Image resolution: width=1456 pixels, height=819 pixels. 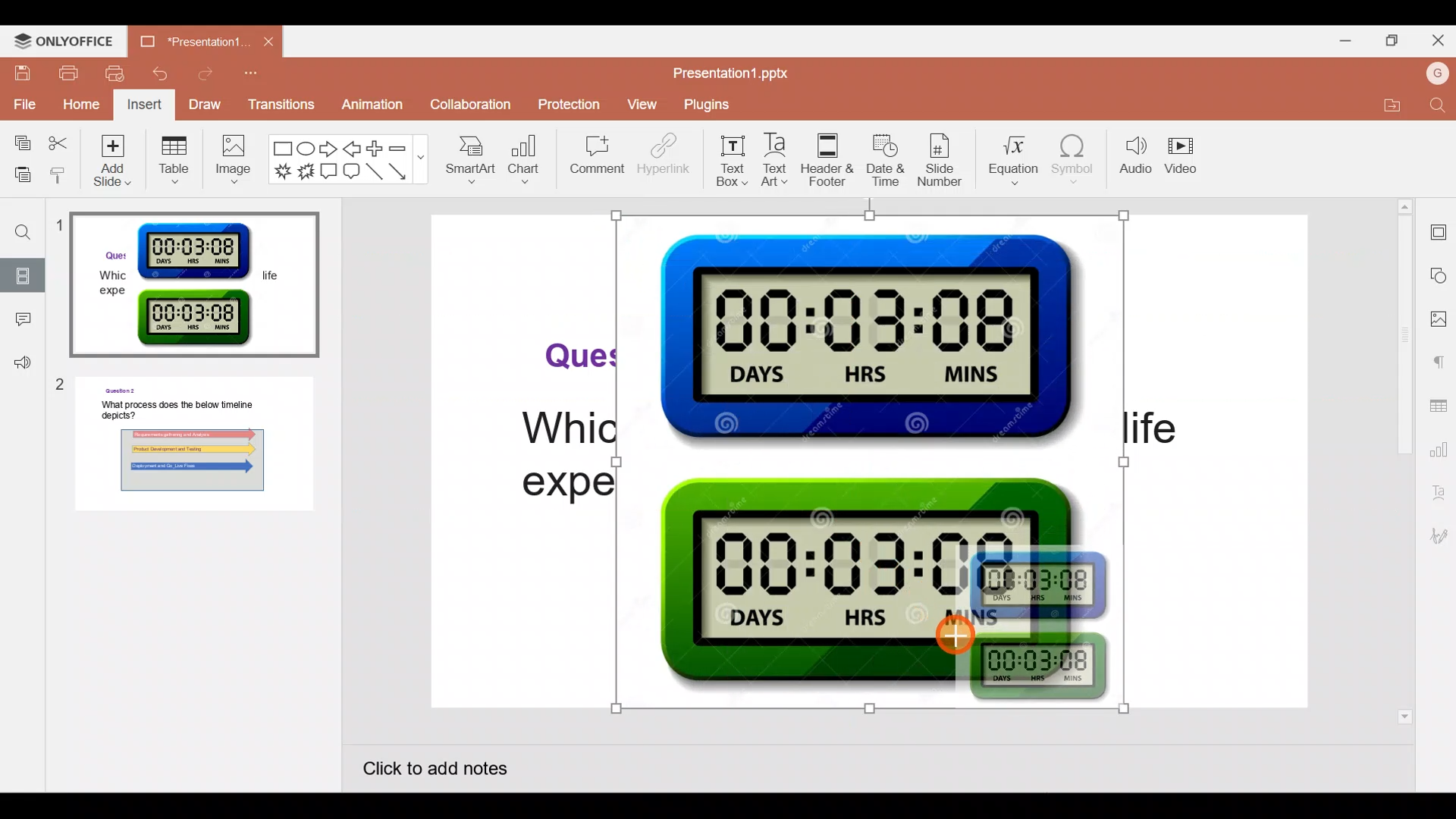 What do you see at coordinates (24, 275) in the screenshot?
I see `Slides` at bounding box center [24, 275].